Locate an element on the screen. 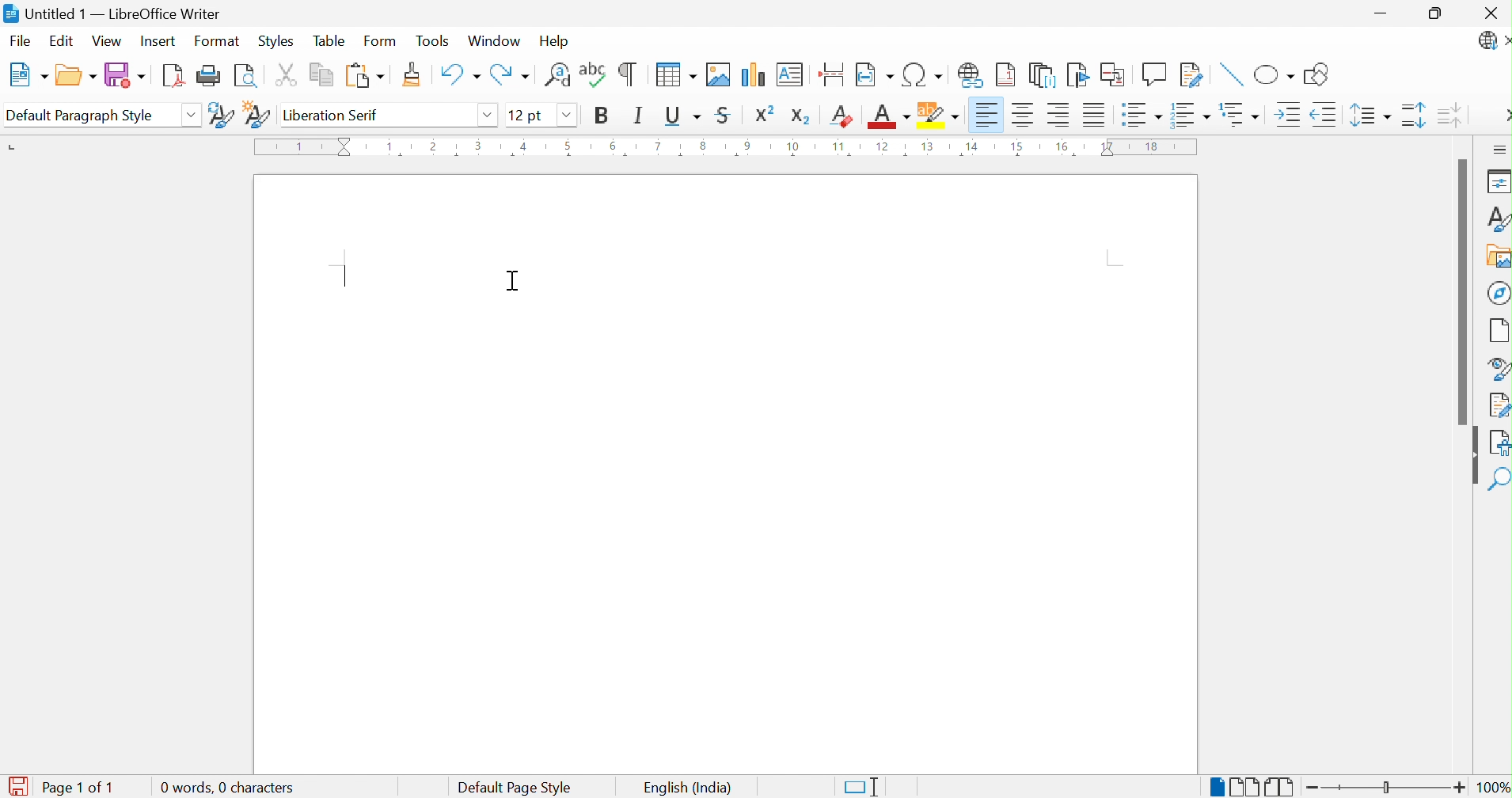 This screenshot has width=1512, height=798. Liberation Serif is located at coordinates (330, 115).